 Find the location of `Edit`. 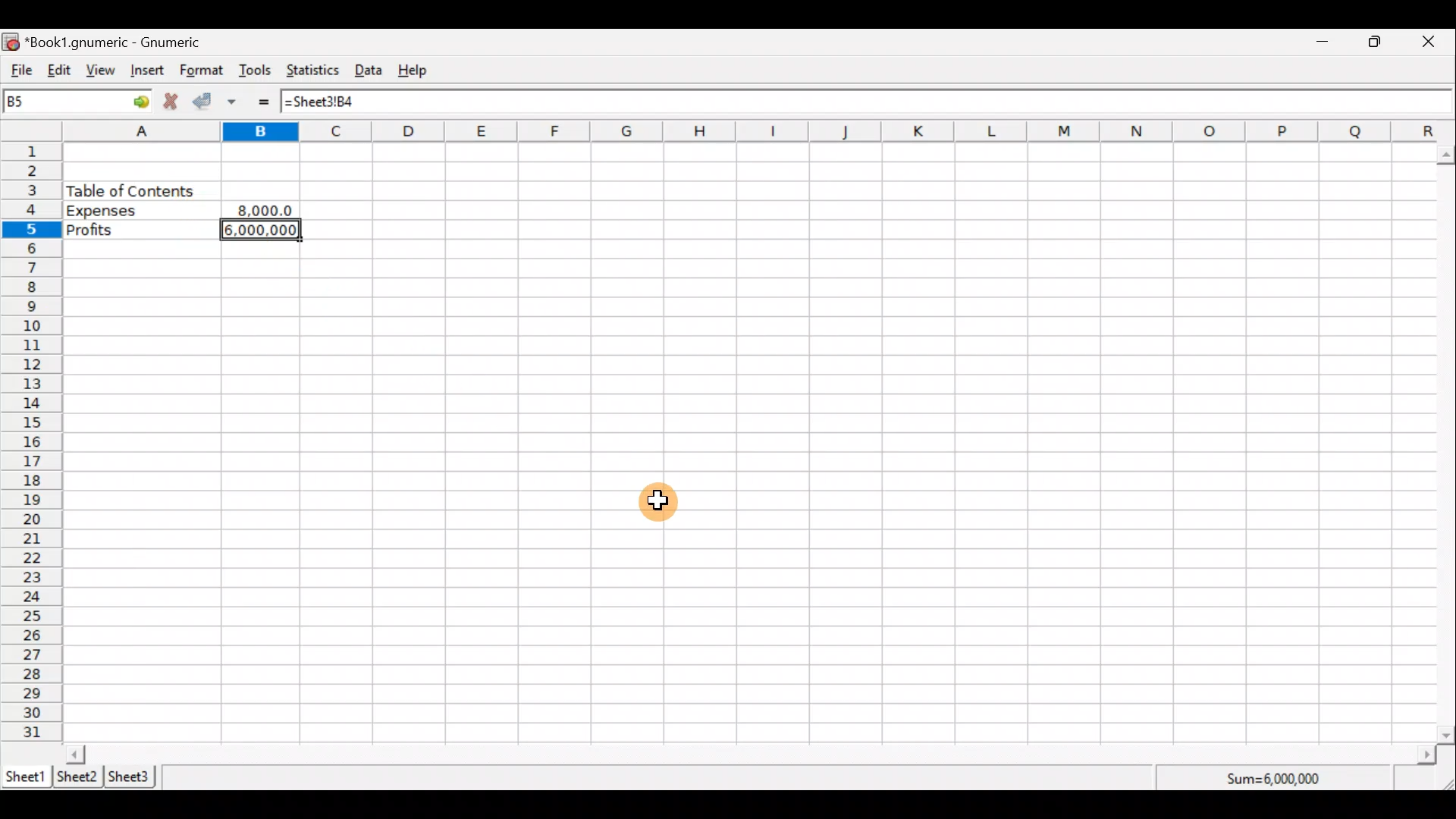

Edit is located at coordinates (59, 71).